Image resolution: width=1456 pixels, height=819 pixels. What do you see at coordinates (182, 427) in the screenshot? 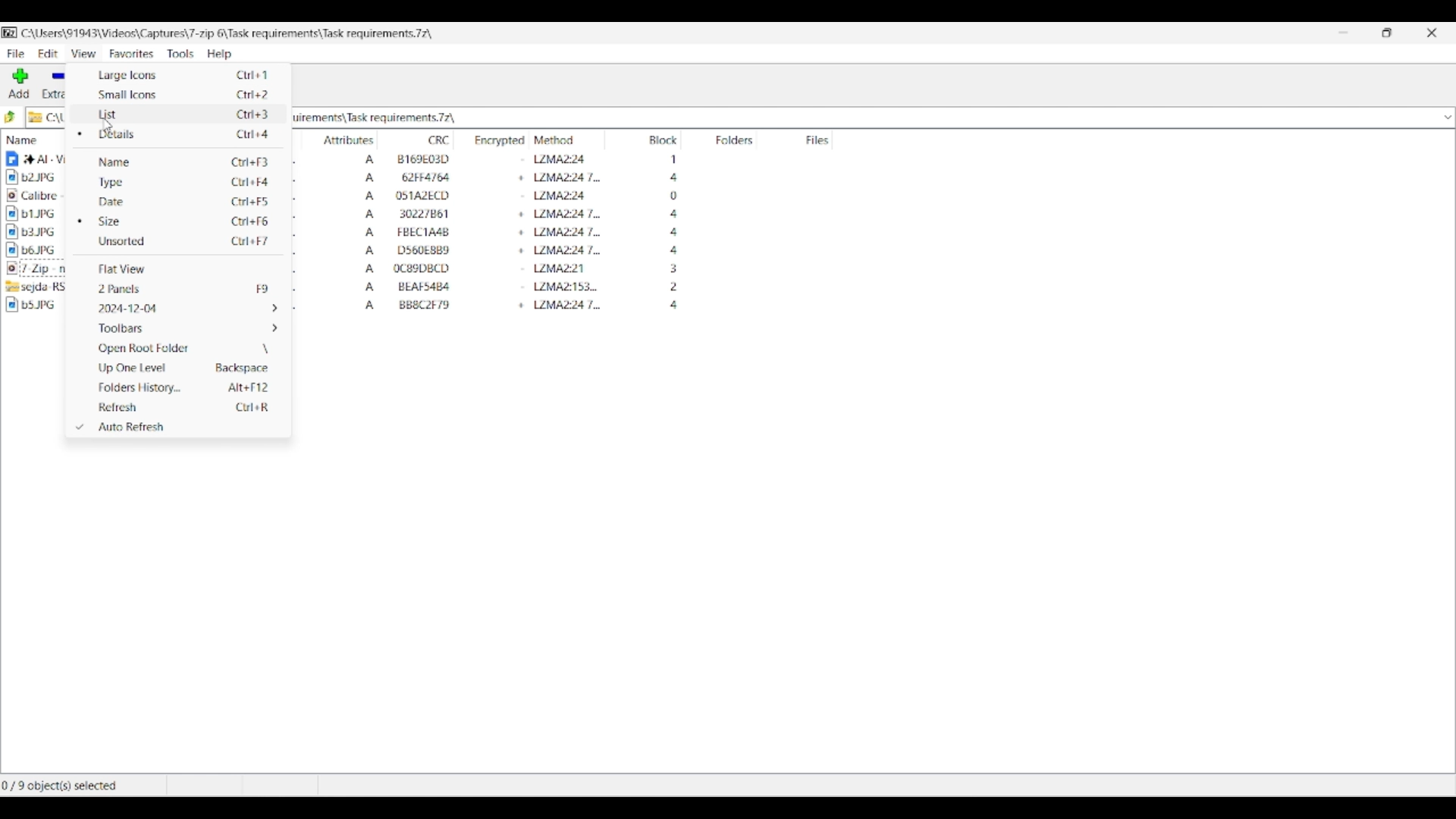
I see `Auto refresh` at bounding box center [182, 427].